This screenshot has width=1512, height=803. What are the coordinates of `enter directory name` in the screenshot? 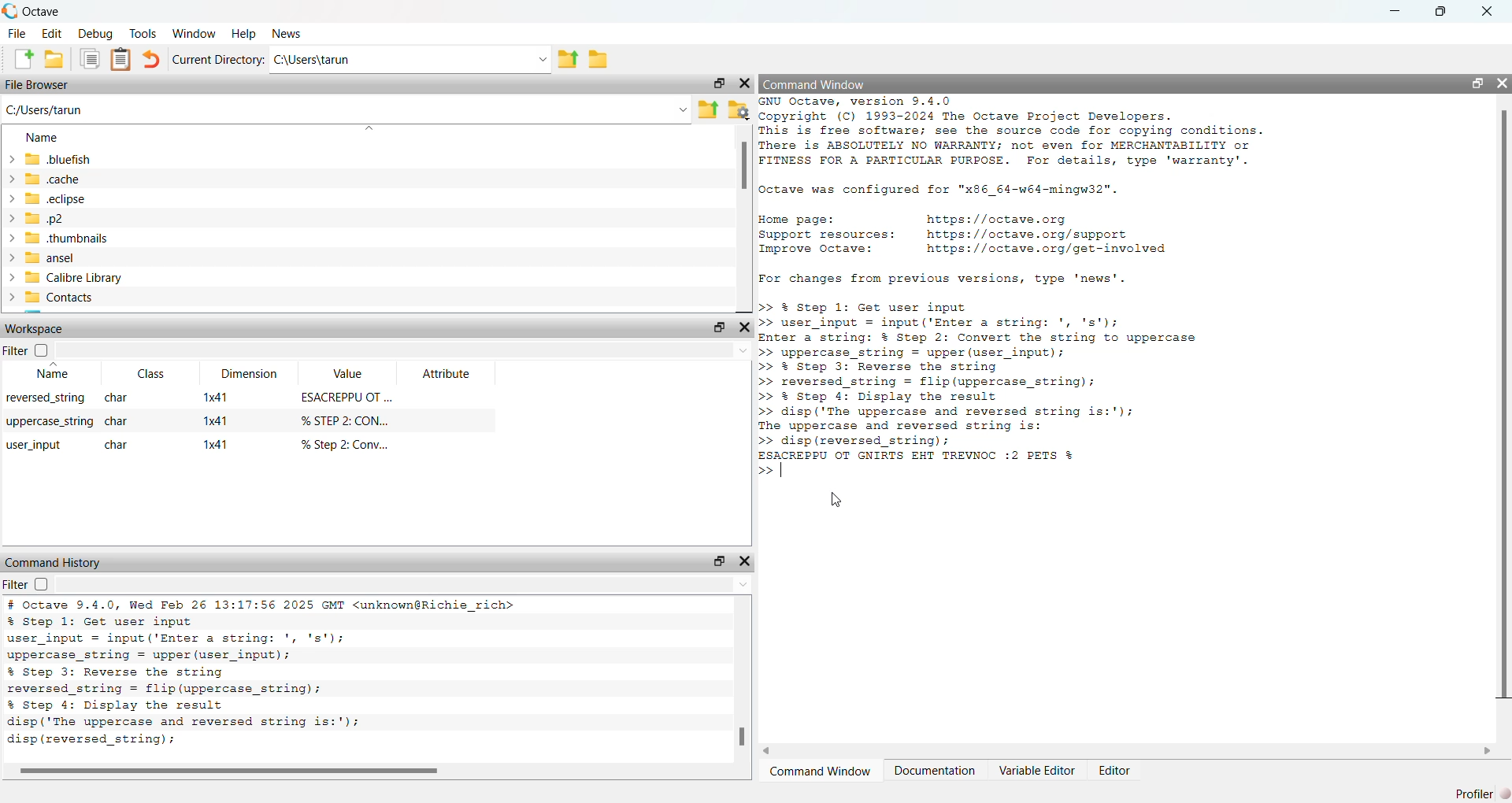 It's located at (413, 57).